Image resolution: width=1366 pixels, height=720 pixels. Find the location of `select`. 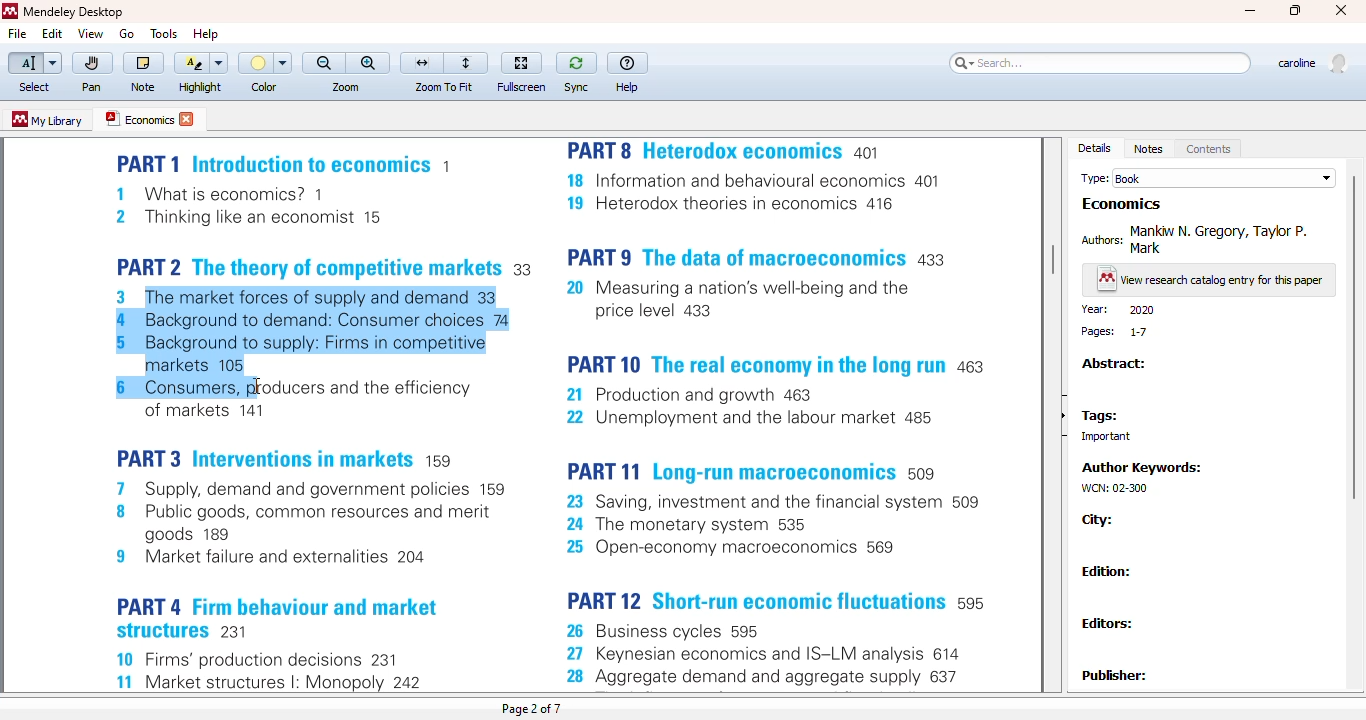

select is located at coordinates (34, 64).